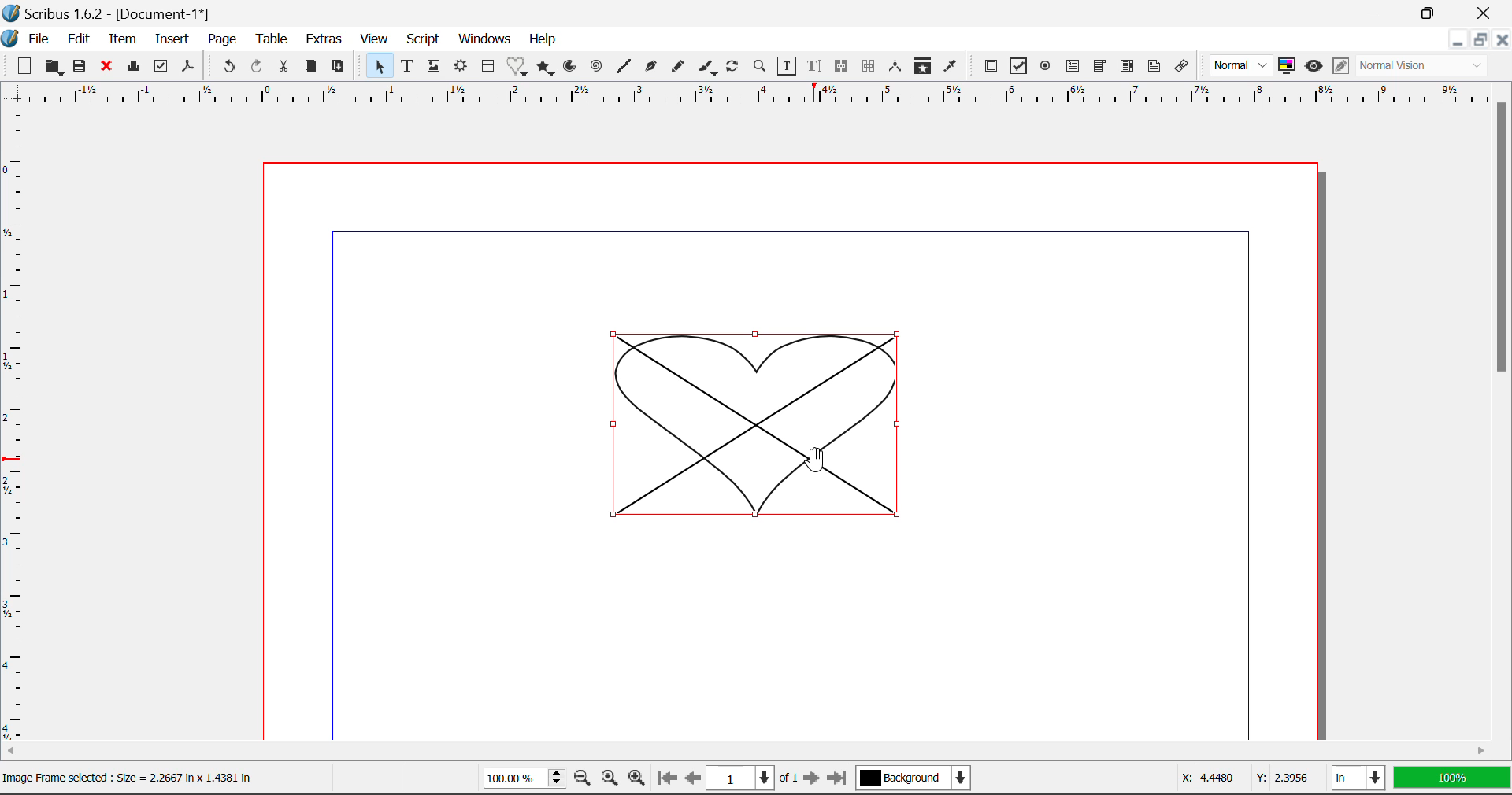 The image size is (1512, 795). Describe the element at coordinates (608, 780) in the screenshot. I see `Zoom to 100%` at that location.